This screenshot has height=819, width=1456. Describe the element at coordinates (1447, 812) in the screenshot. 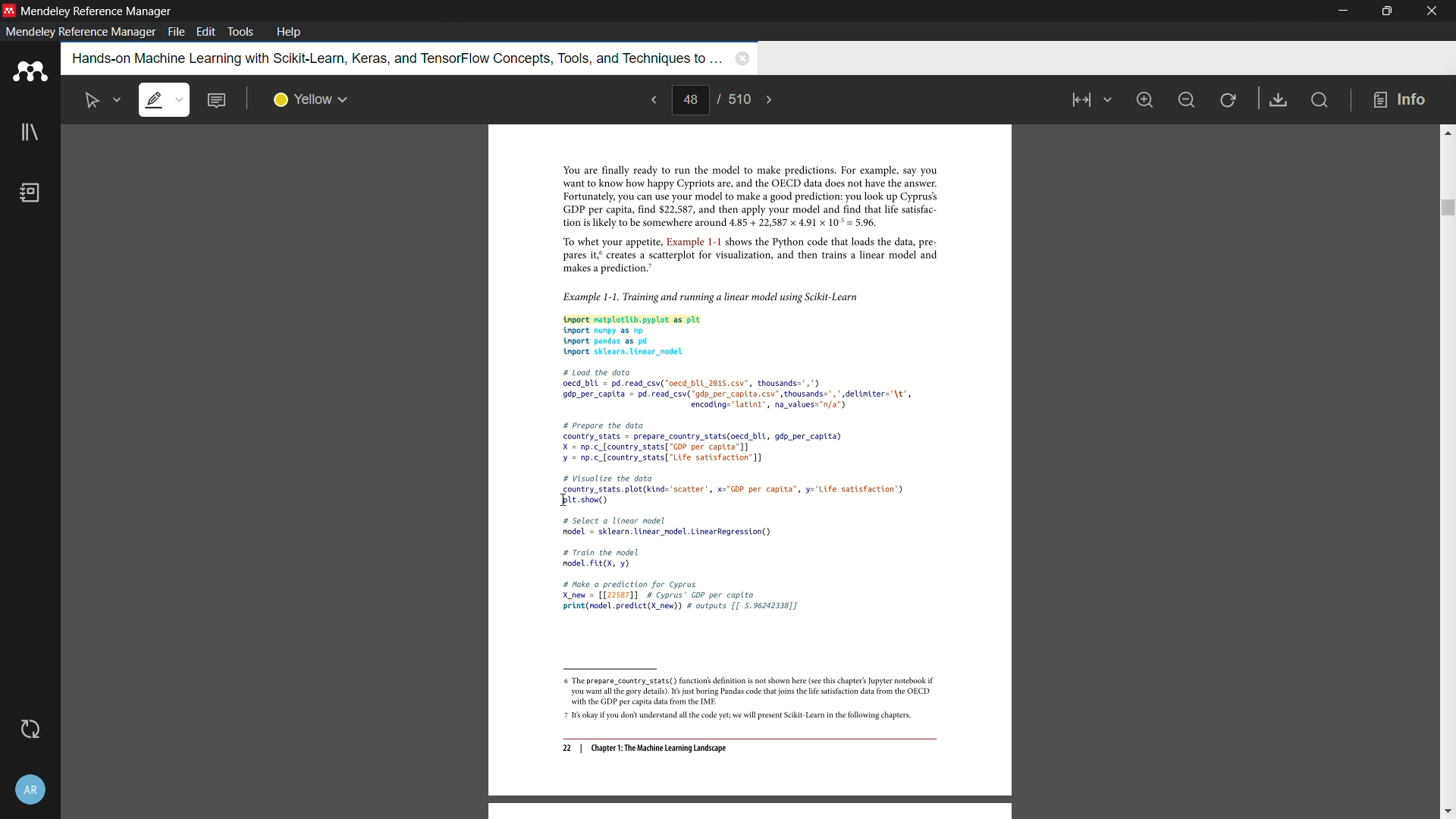

I see `scroll down` at that location.